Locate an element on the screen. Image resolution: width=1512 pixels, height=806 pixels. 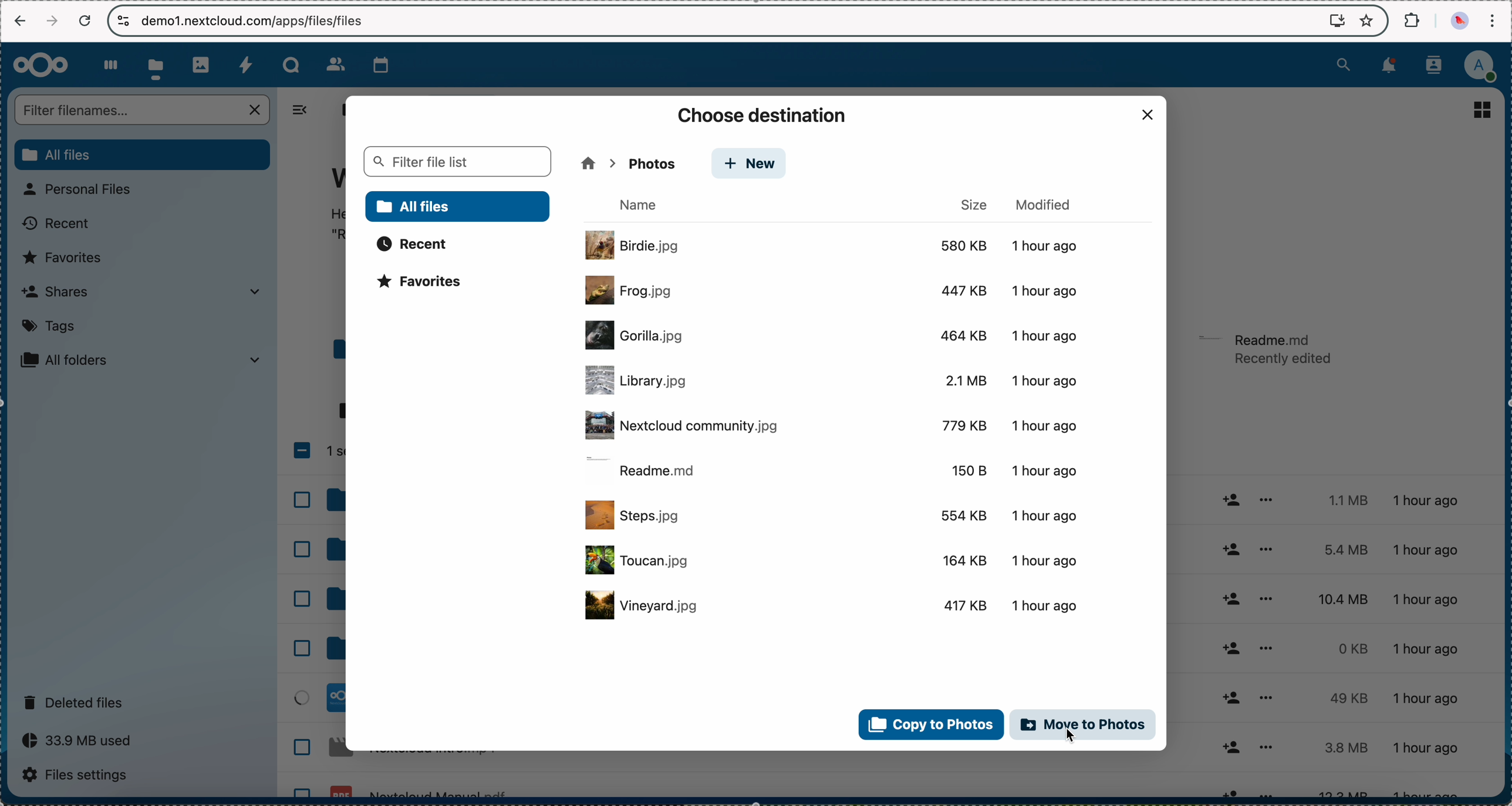
cancel  is located at coordinates (85, 21).